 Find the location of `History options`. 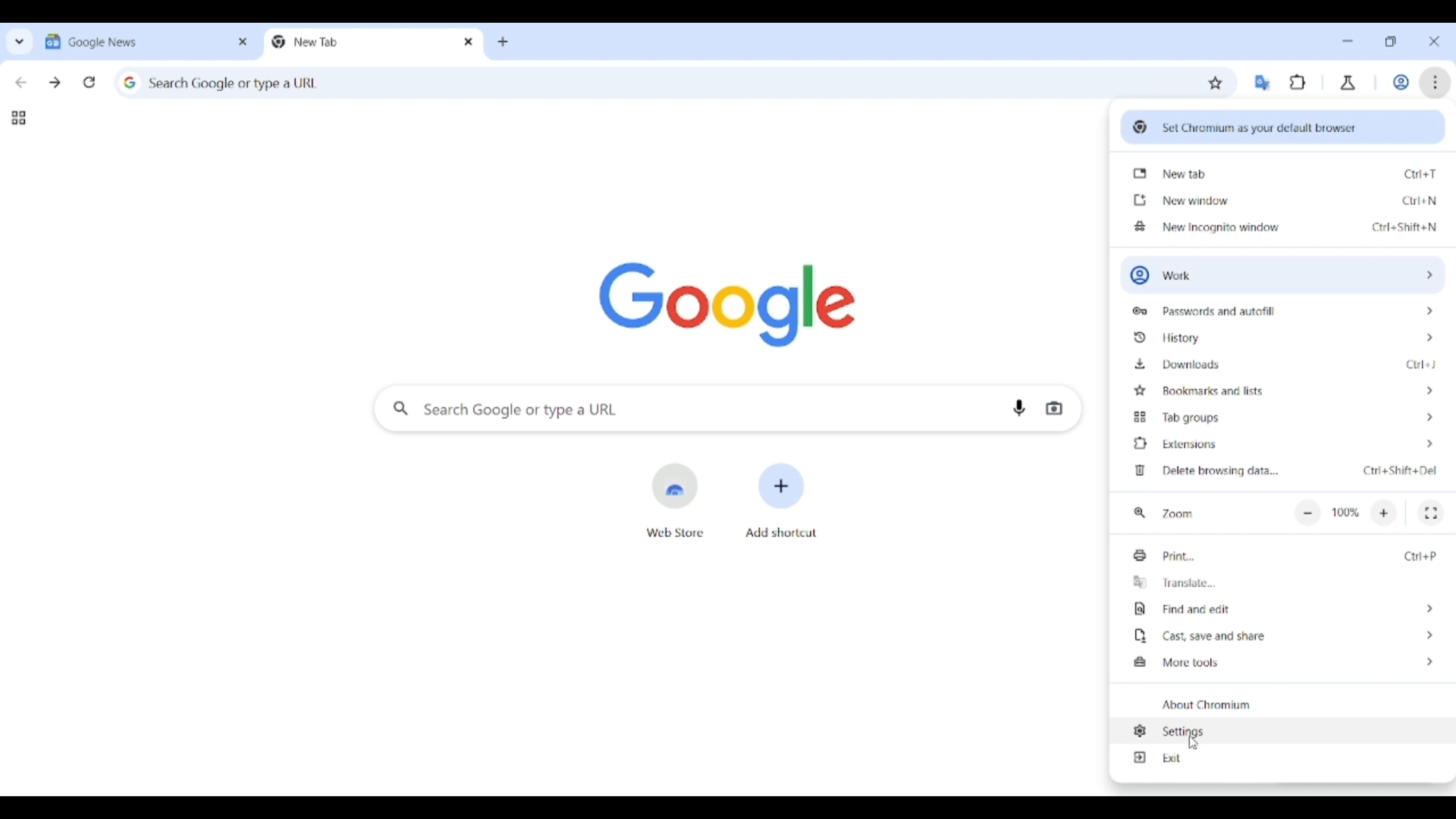

History options is located at coordinates (1284, 337).